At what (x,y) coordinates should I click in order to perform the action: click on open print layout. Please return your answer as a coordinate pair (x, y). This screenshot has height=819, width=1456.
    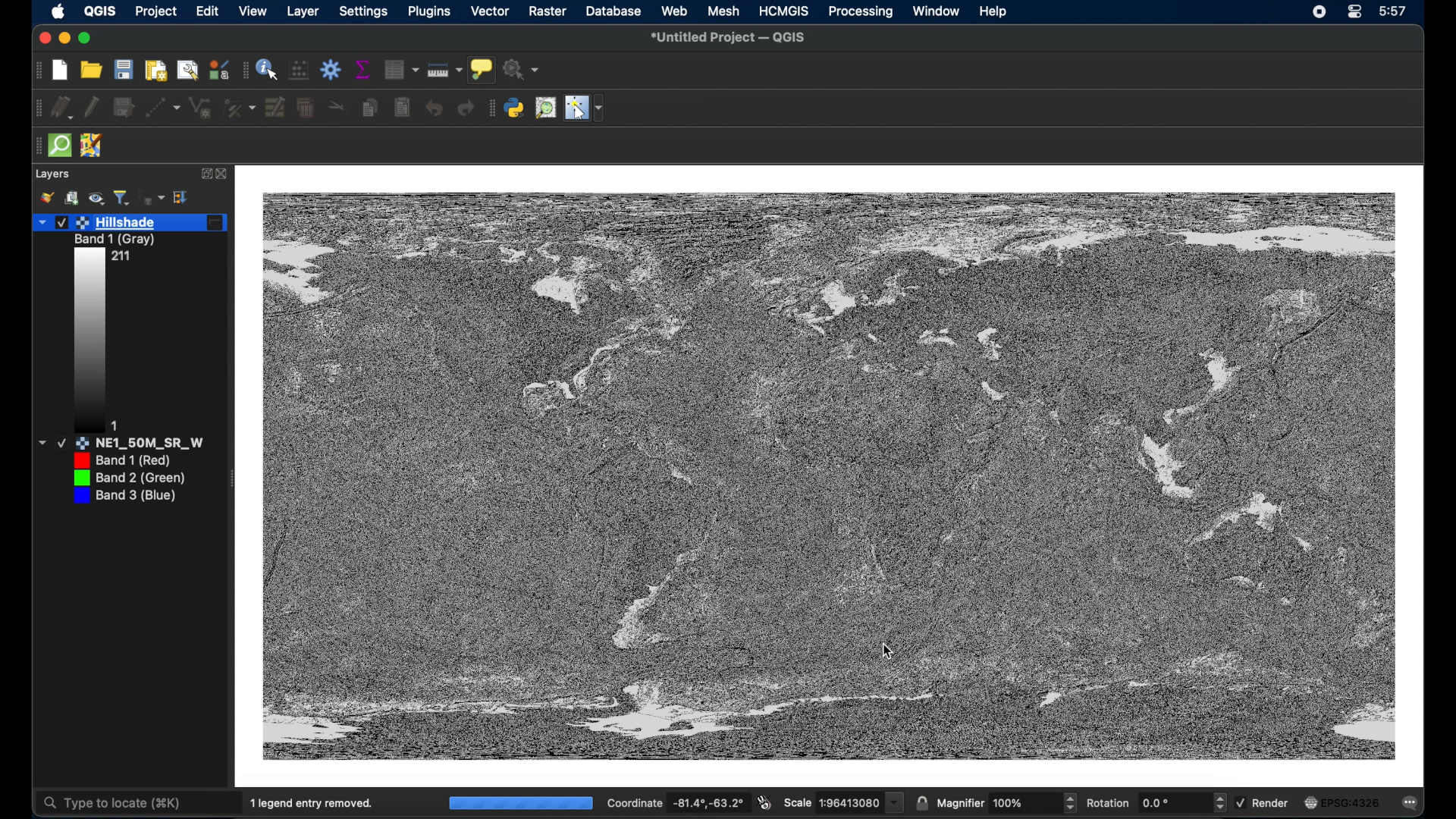
    Looking at the image, I should click on (155, 70).